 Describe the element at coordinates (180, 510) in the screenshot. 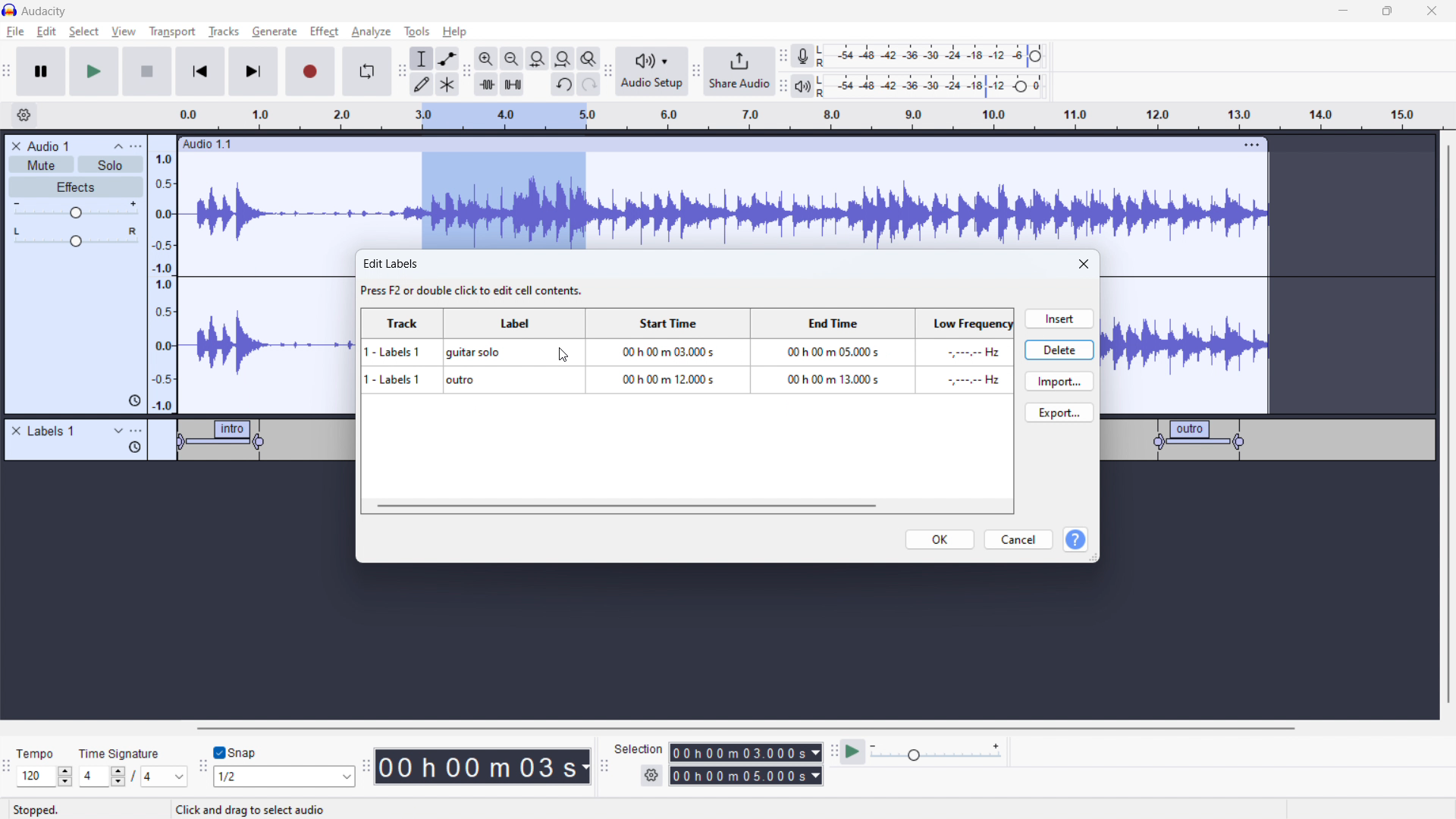

I see `timeline` at that location.